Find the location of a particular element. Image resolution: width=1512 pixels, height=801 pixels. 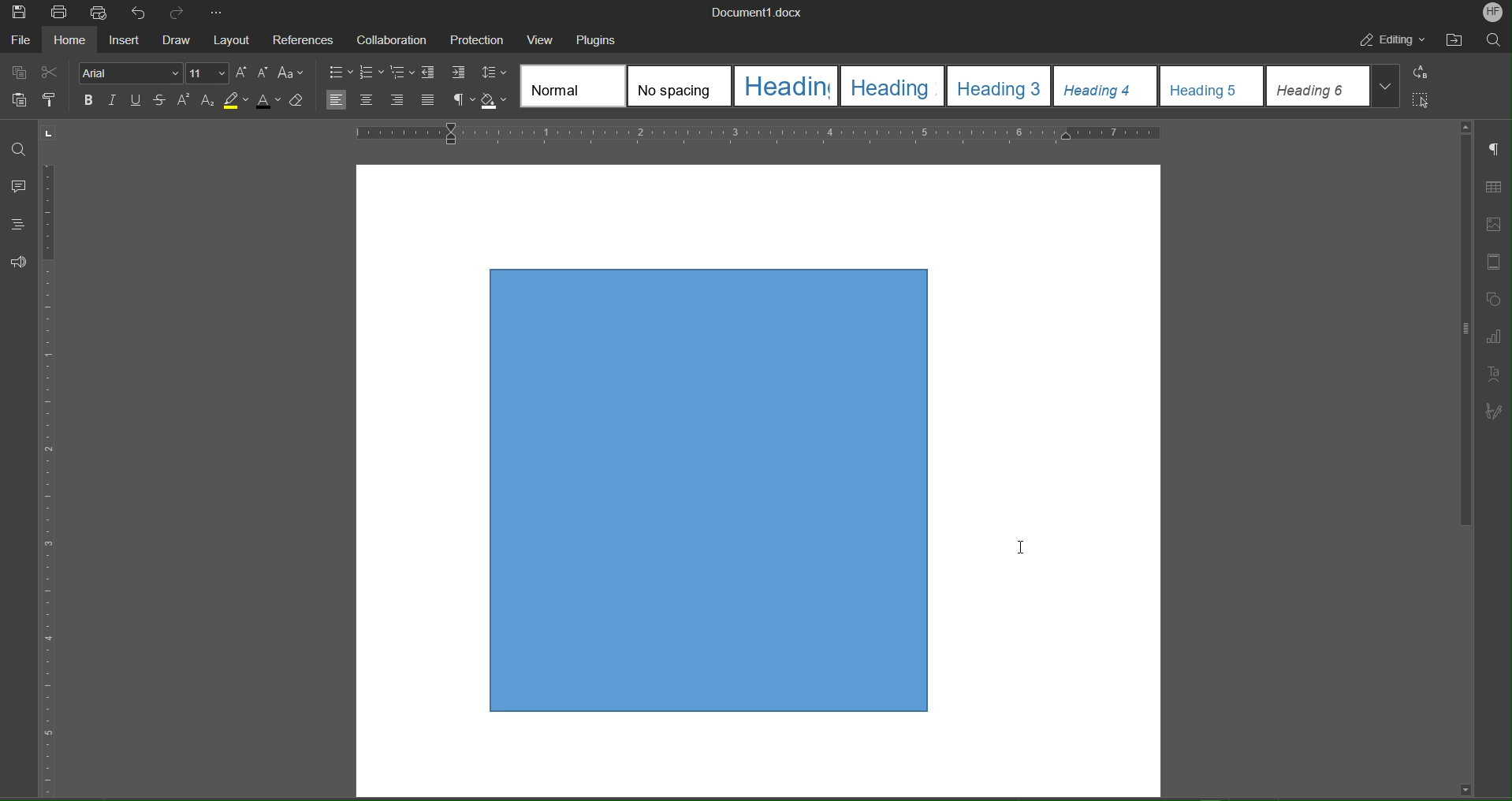

Superscript is located at coordinates (184, 102).